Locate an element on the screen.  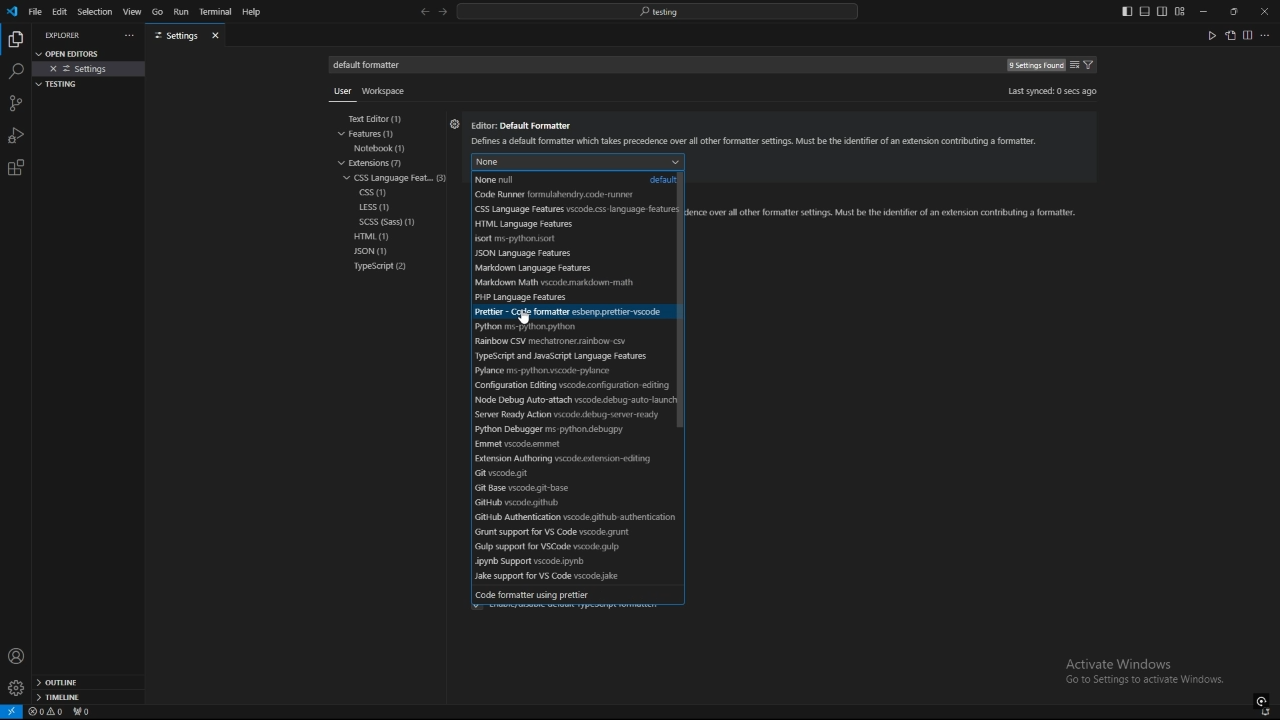
profile is located at coordinates (16, 656).